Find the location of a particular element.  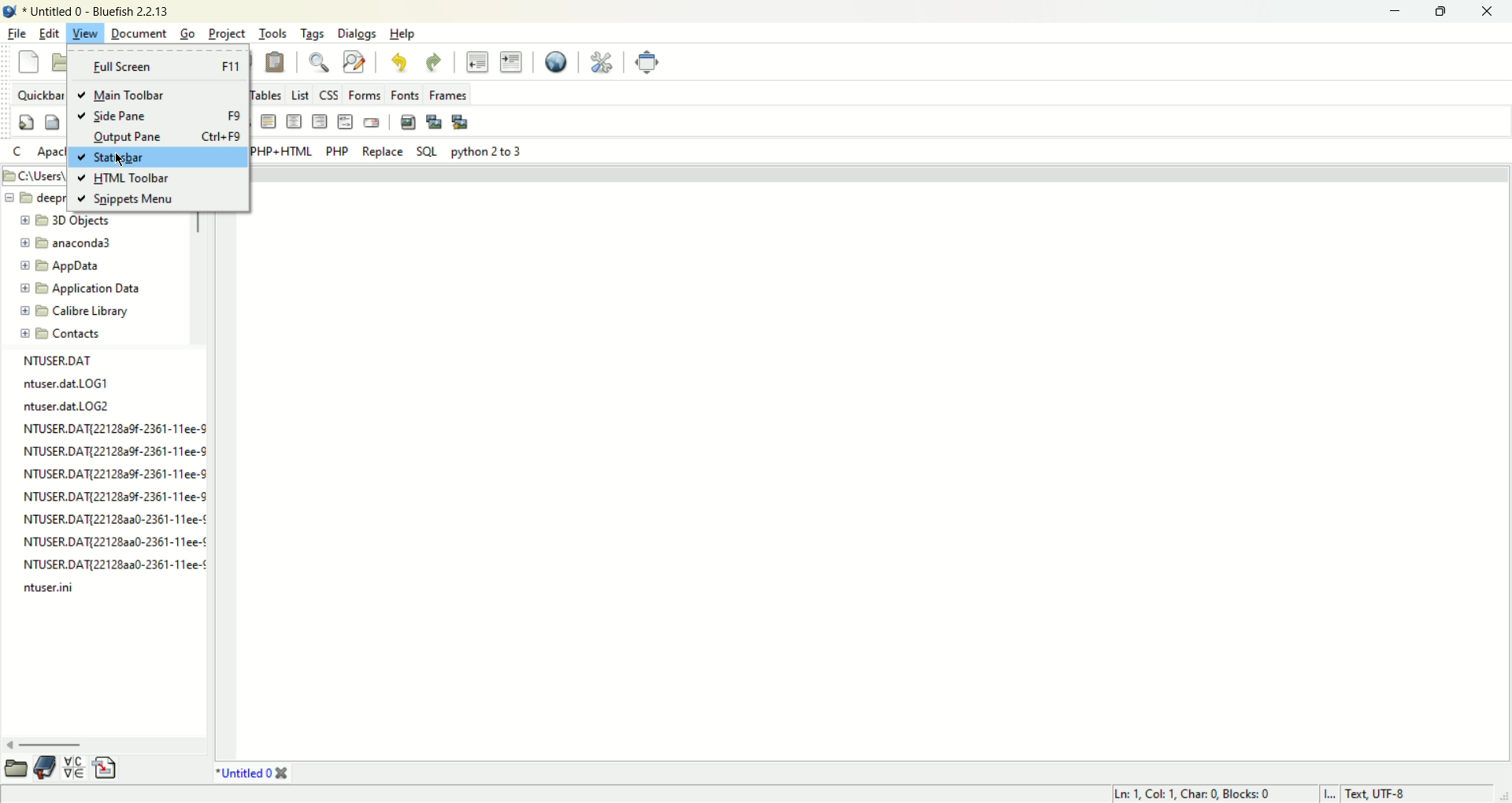

insert thumbnail is located at coordinates (434, 123).